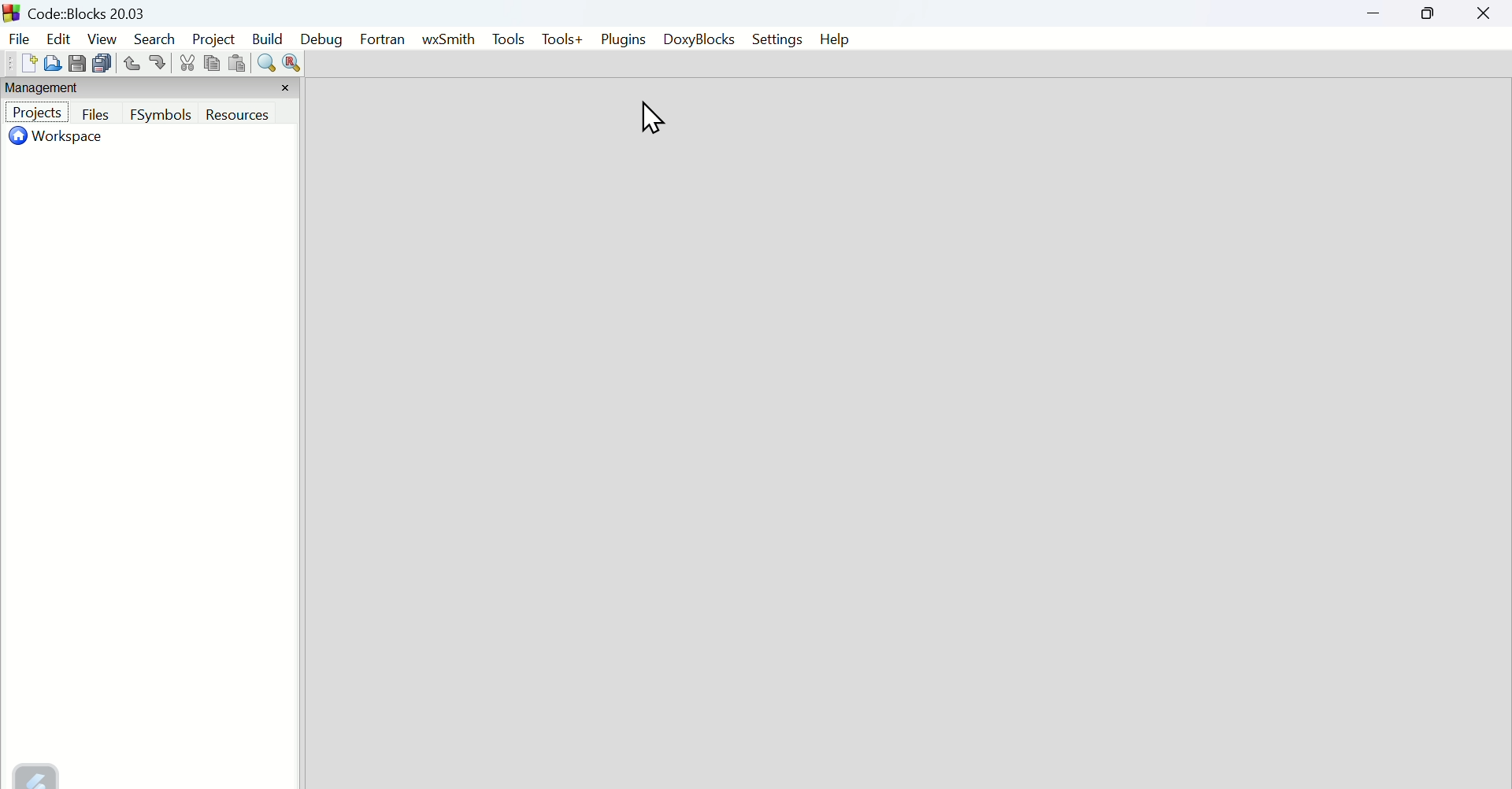 This screenshot has width=1512, height=789. I want to click on Wx Smith, so click(447, 40).